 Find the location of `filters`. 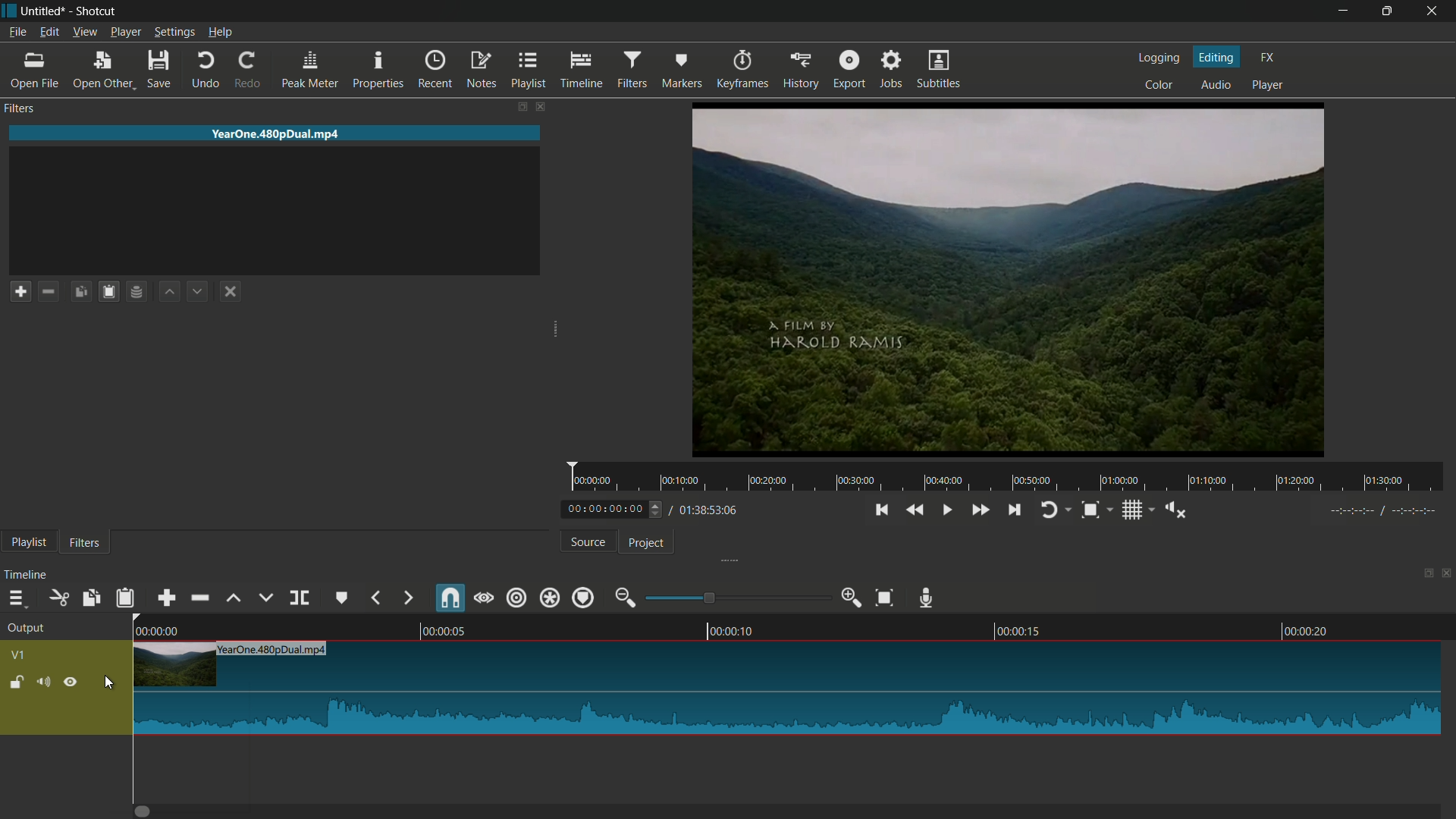

filters is located at coordinates (21, 109).